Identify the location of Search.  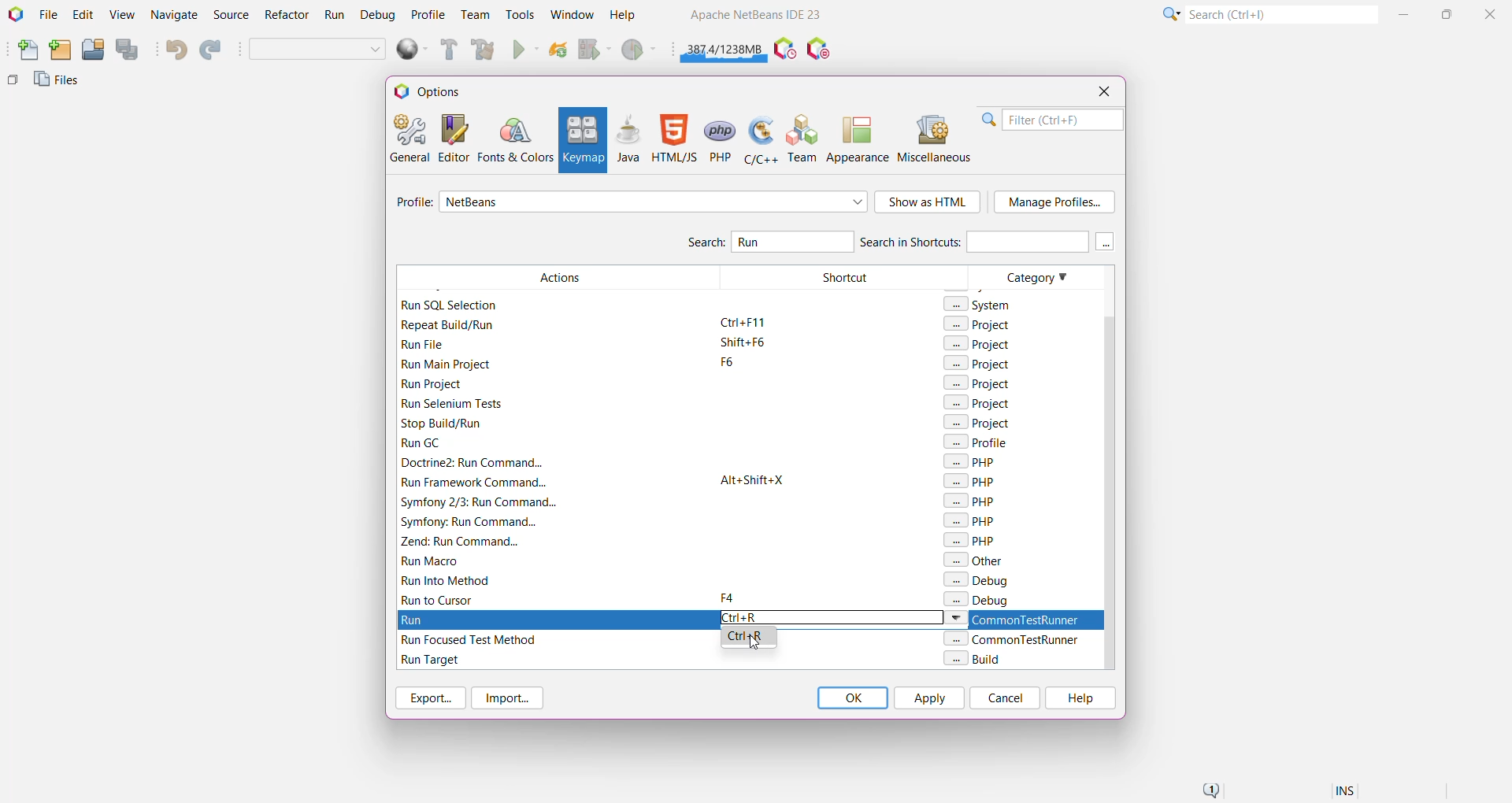
(705, 244).